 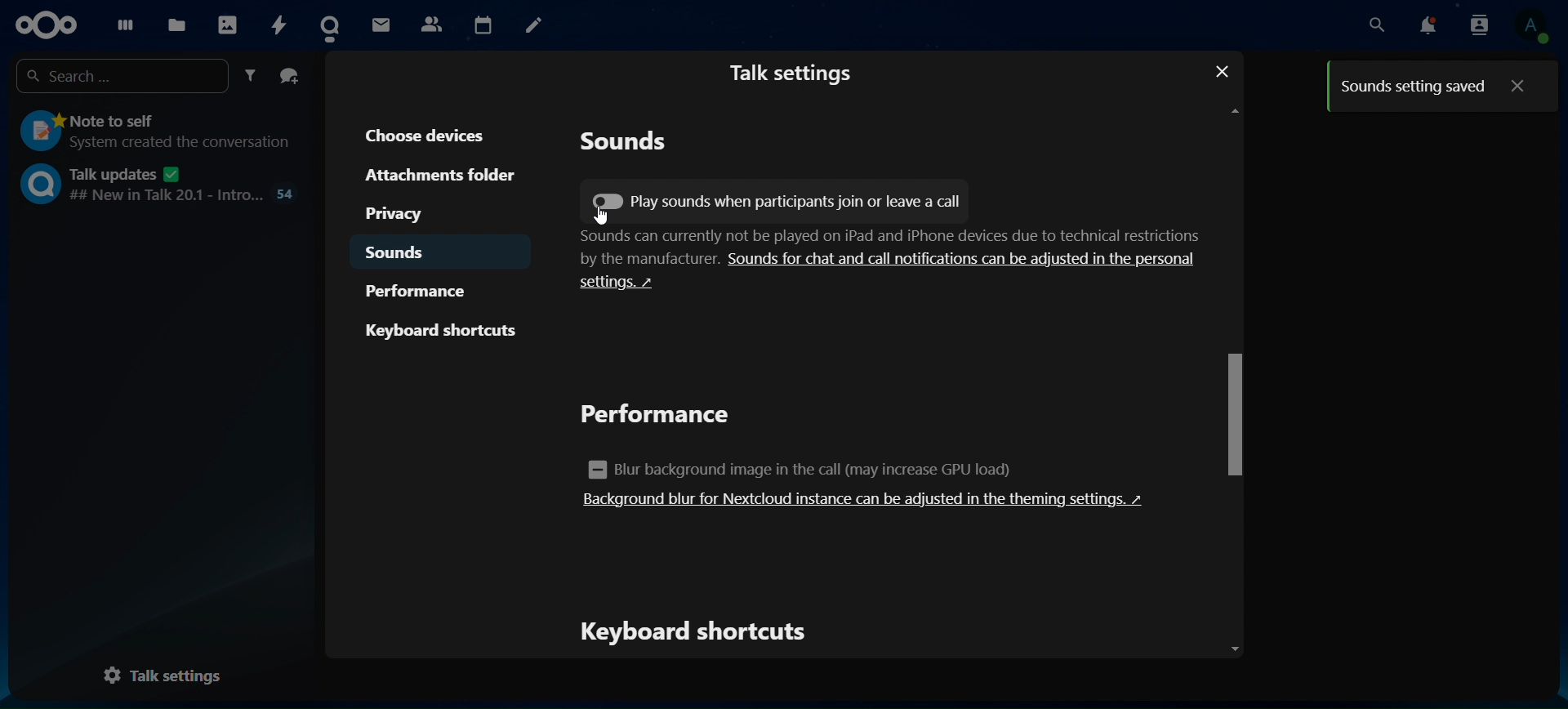 I want to click on photos, so click(x=226, y=20).